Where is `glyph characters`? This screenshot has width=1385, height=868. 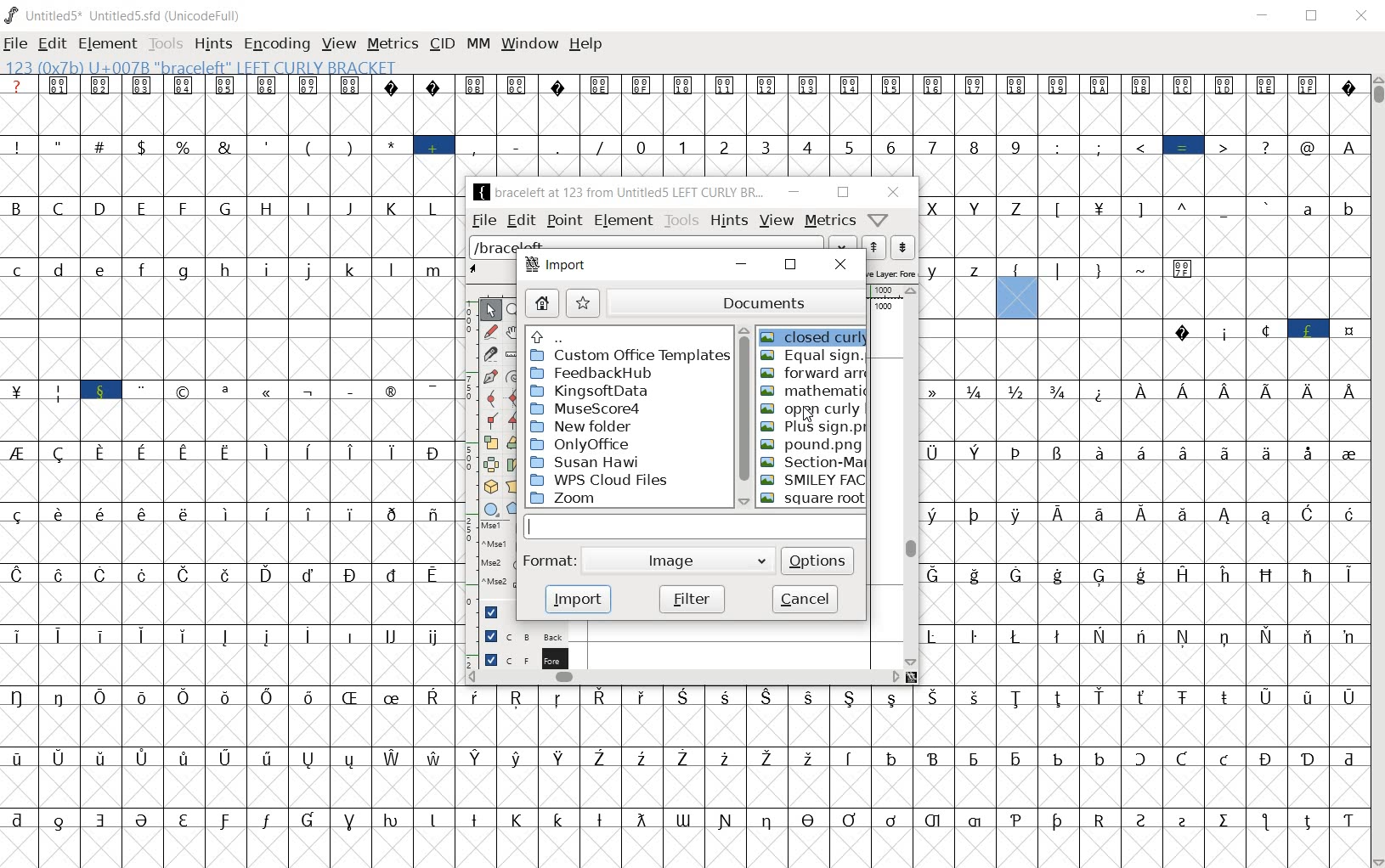
glyph characters is located at coordinates (911, 124).